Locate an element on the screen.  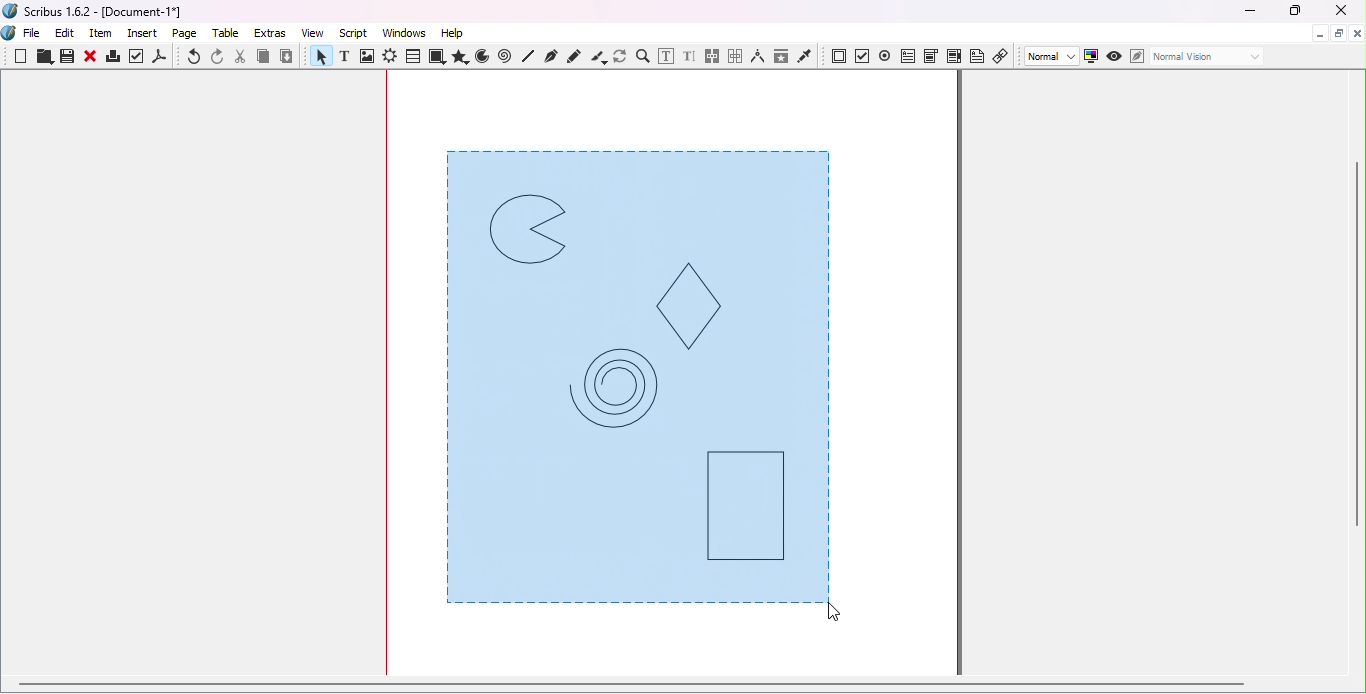
Select the visual appearance of the display is located at coordinates (1206, 57).